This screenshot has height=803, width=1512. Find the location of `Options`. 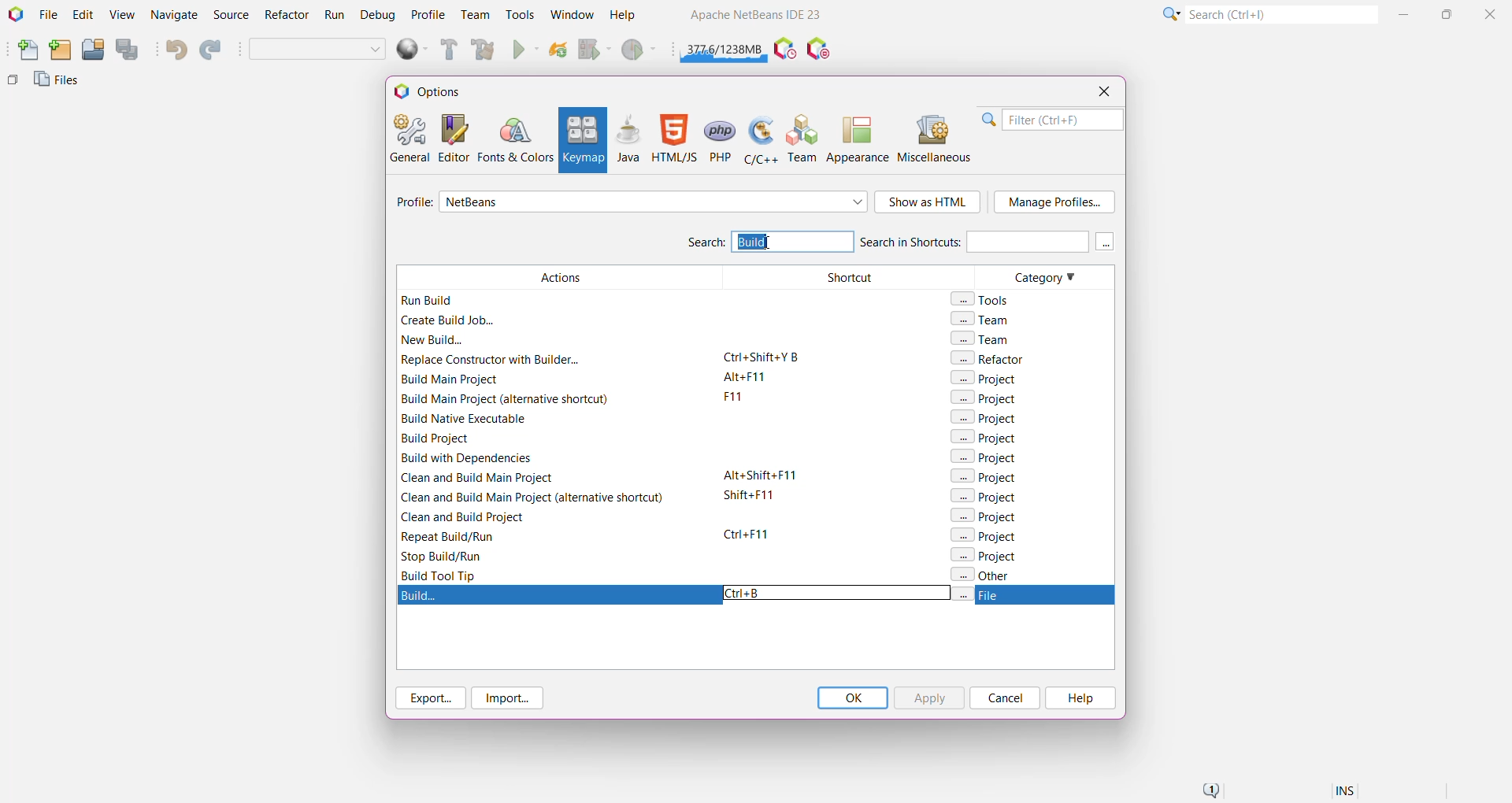

Options is located at coordinates (435, 91).